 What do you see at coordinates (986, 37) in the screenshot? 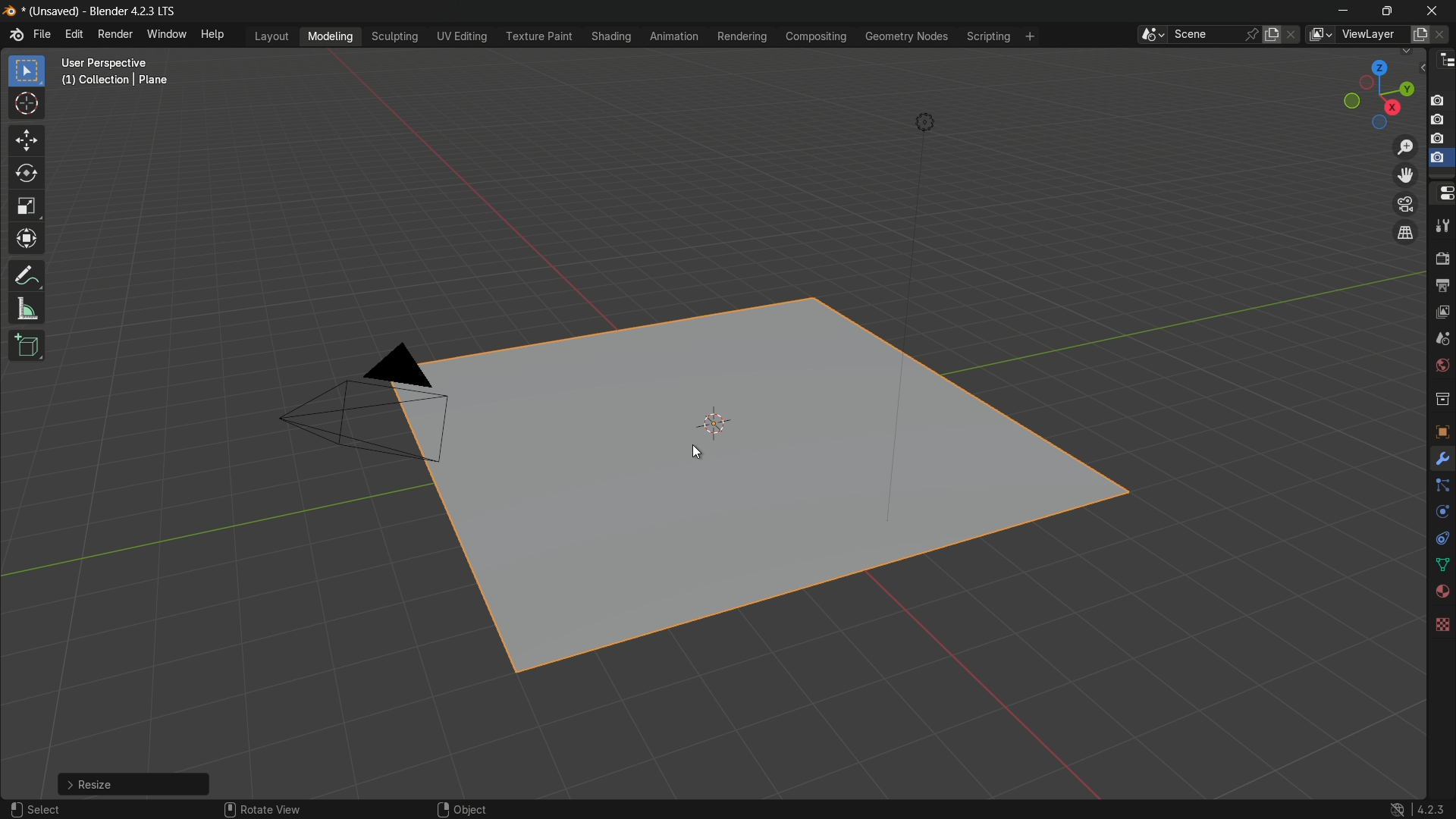
I see `scripting` at bounding box center [986, 37].